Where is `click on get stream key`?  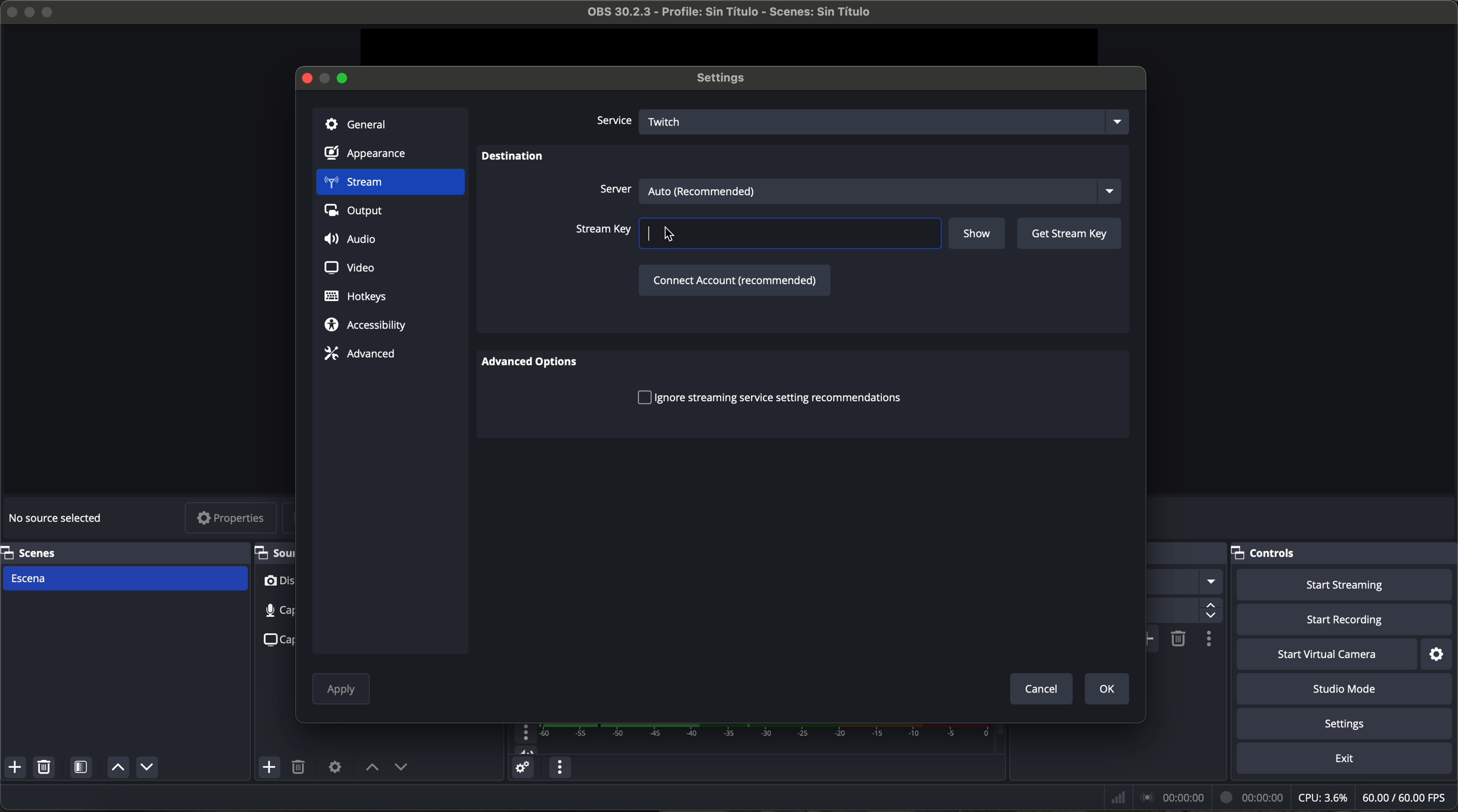
click on get stream key is located at coordinates (1069, 234).